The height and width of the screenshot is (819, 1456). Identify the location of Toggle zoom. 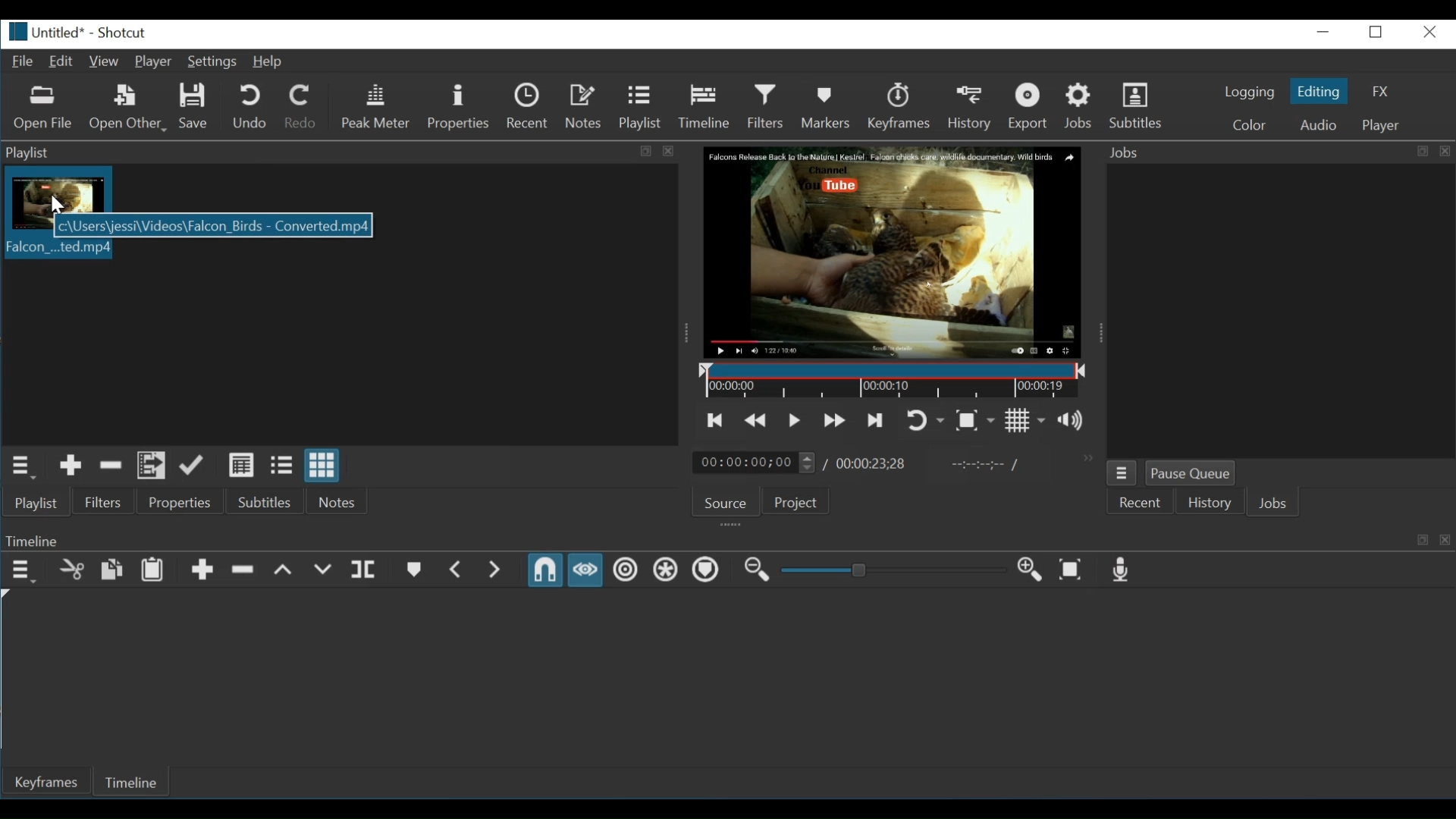
(974, 421).